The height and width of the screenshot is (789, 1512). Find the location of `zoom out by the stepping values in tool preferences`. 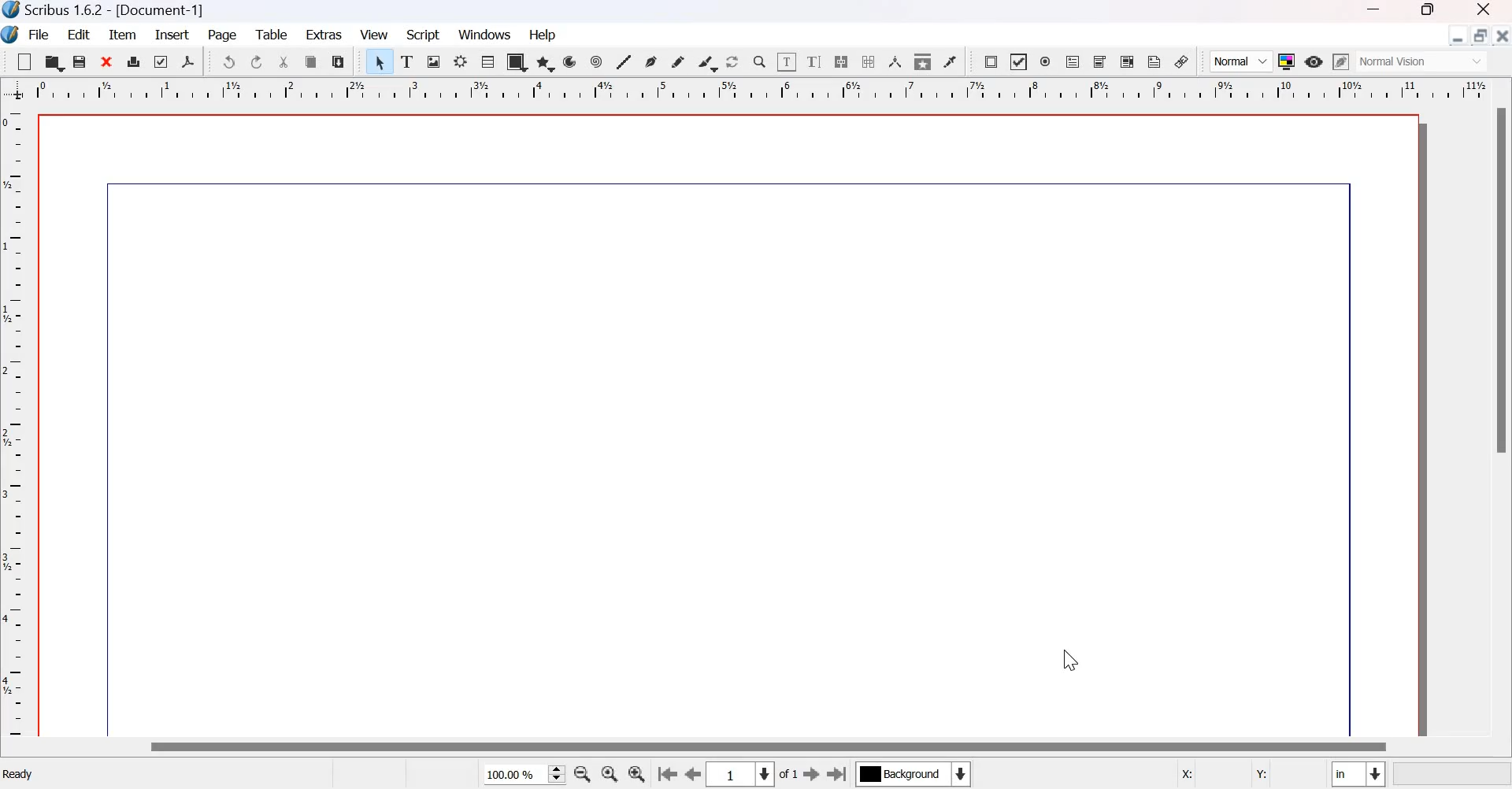

zoom out by the stepping values in tool preferences is located at coordinates (584, 774).